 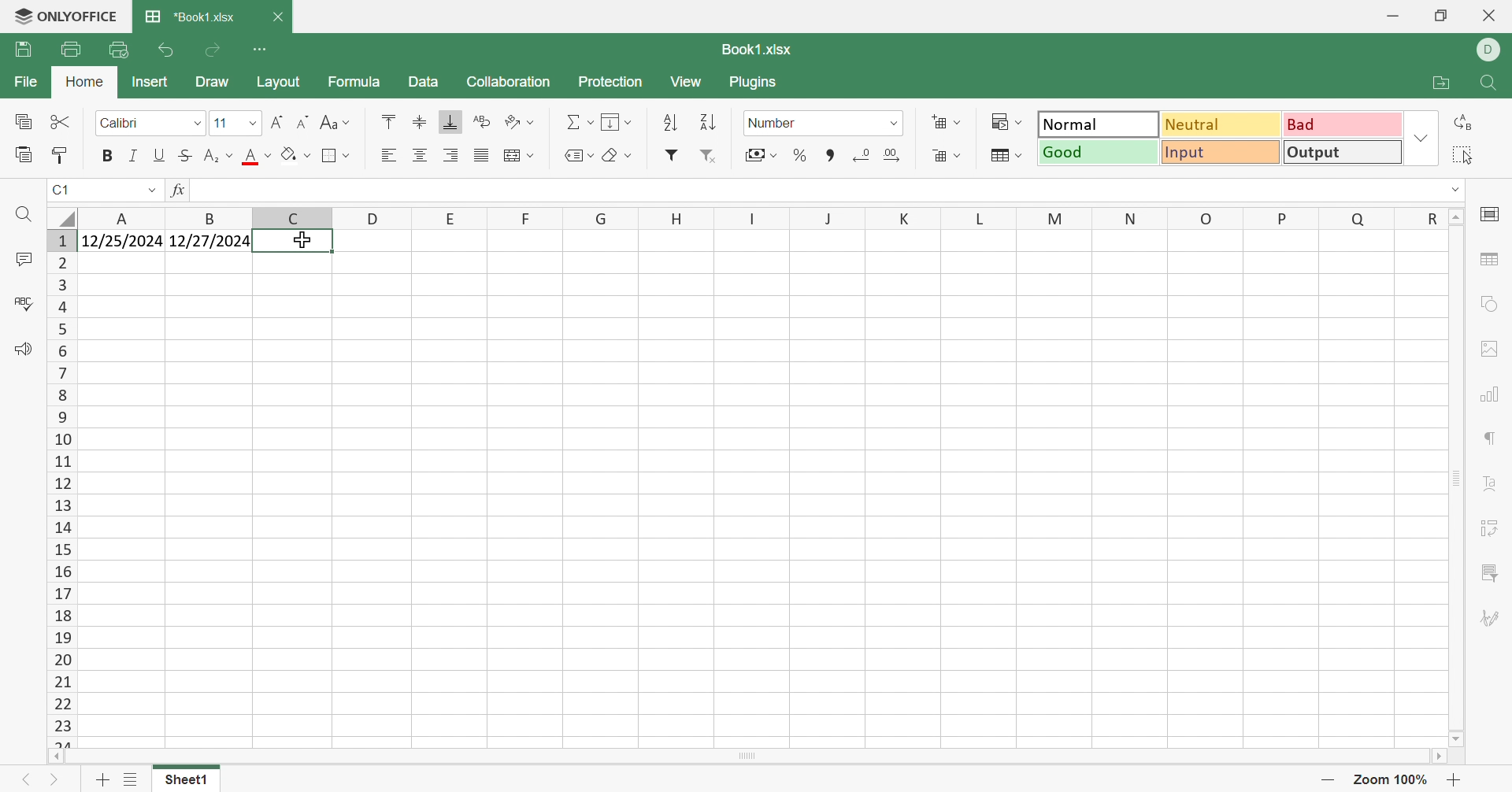 I want to click on Fill color, so click(x=258, y=157).